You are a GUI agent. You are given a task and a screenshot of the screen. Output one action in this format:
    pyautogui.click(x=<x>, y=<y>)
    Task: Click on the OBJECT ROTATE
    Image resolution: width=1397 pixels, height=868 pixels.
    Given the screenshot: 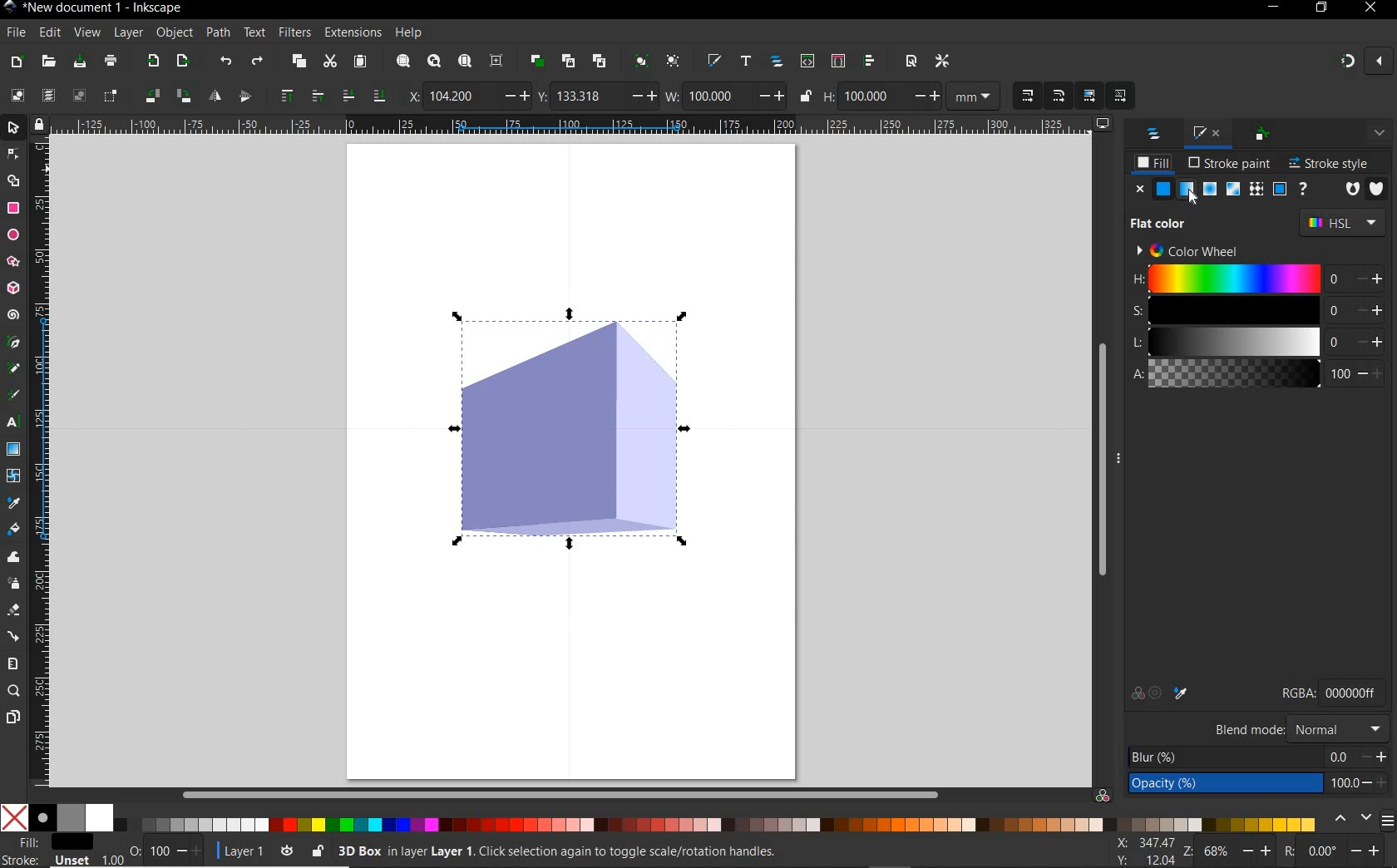 What is the action you would take?
    pyautogui.click(x=181, y=94)
    